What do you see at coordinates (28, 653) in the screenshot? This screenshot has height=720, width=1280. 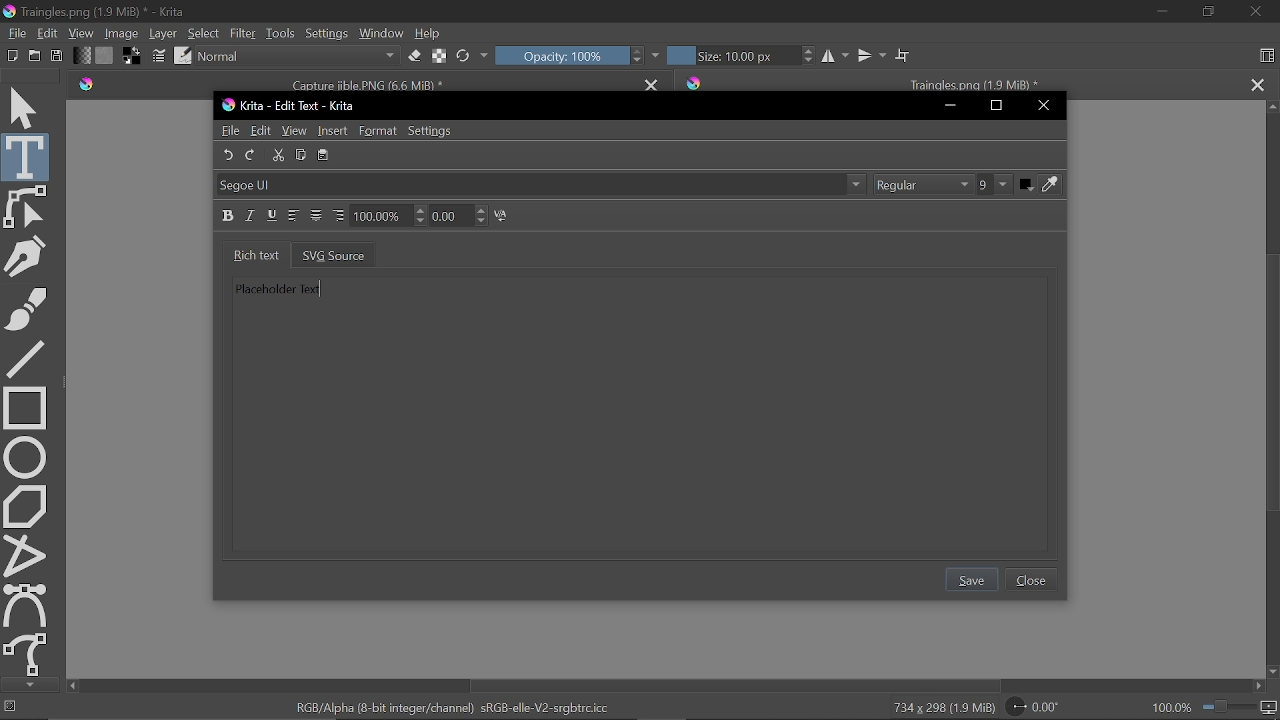 I see `Freehand path tool` at bounding box center [28, 653].